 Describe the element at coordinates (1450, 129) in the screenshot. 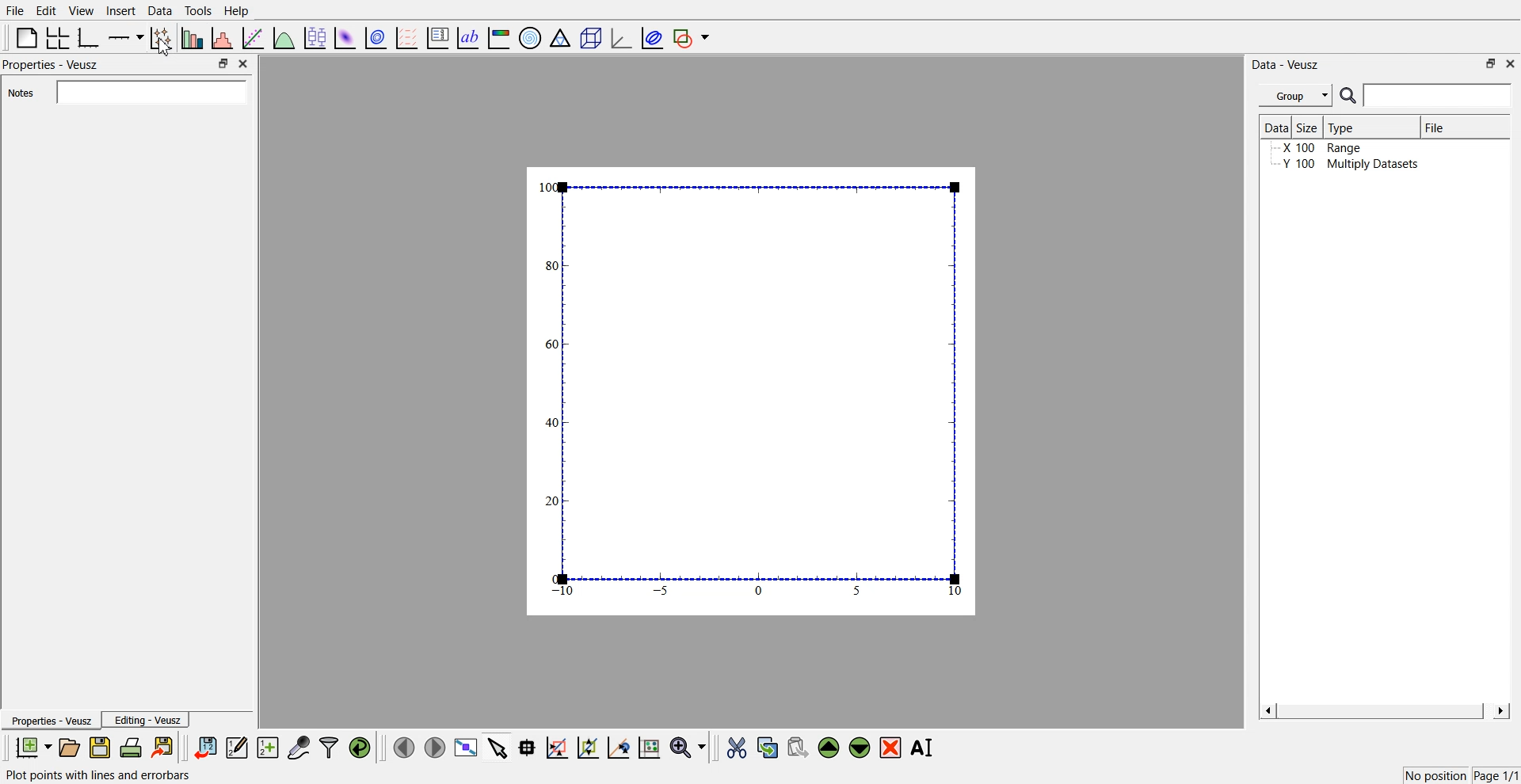

I see `File` at that location.